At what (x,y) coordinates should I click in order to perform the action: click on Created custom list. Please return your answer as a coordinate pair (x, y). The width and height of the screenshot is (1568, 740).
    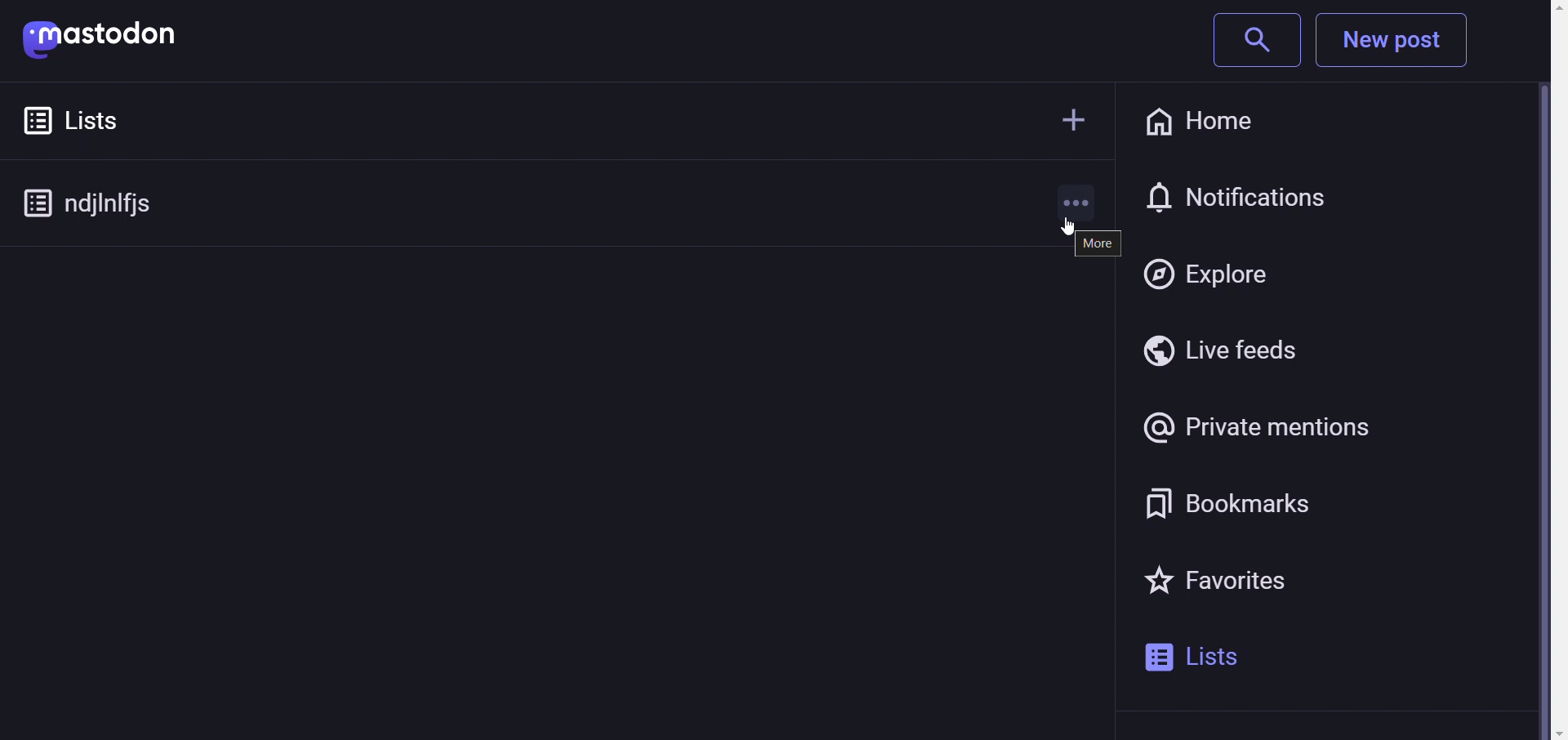
    Looking at the image, I should click on (99, 204).